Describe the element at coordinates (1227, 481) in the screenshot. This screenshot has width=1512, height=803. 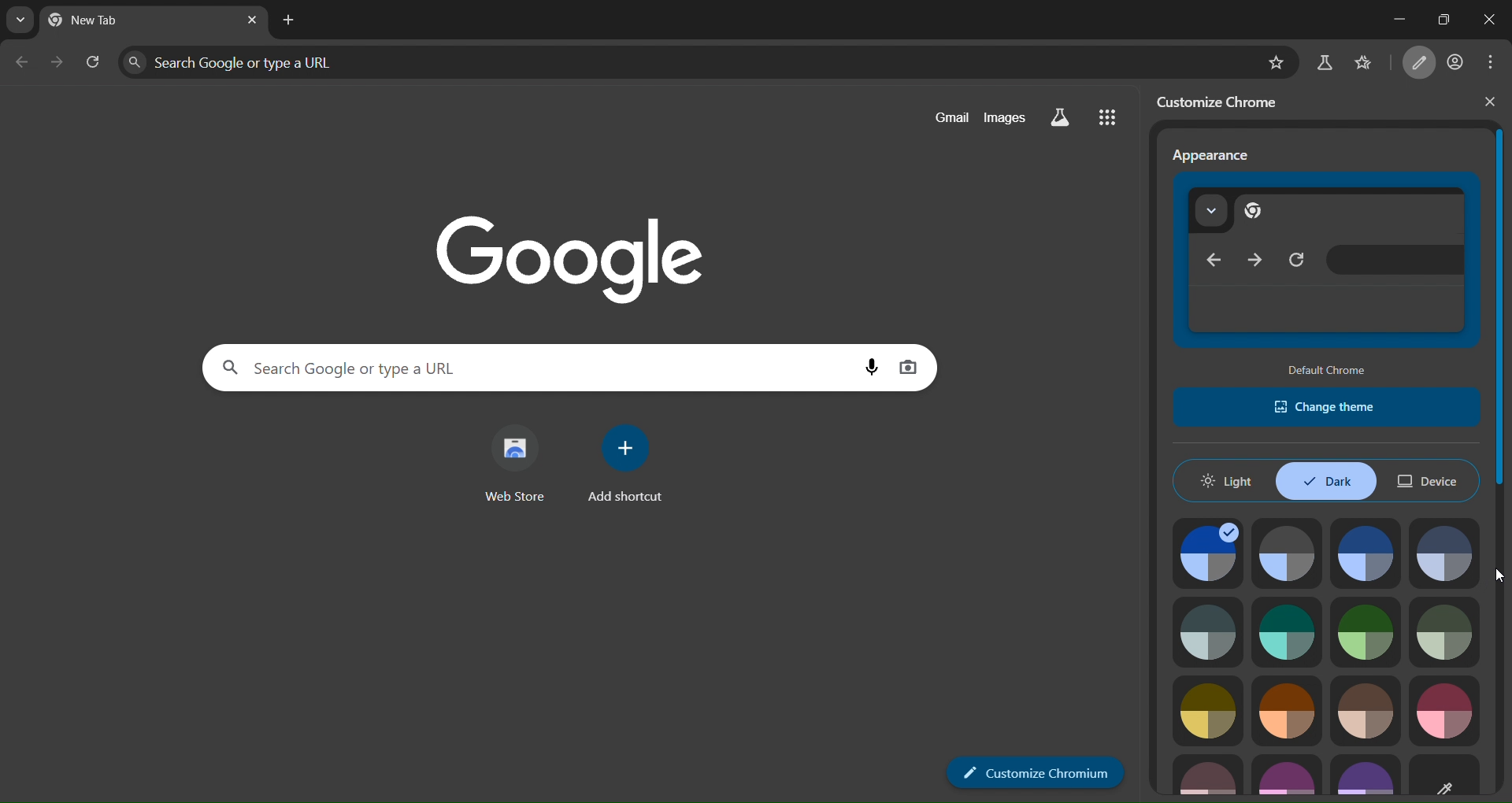
I see `light` at that location.